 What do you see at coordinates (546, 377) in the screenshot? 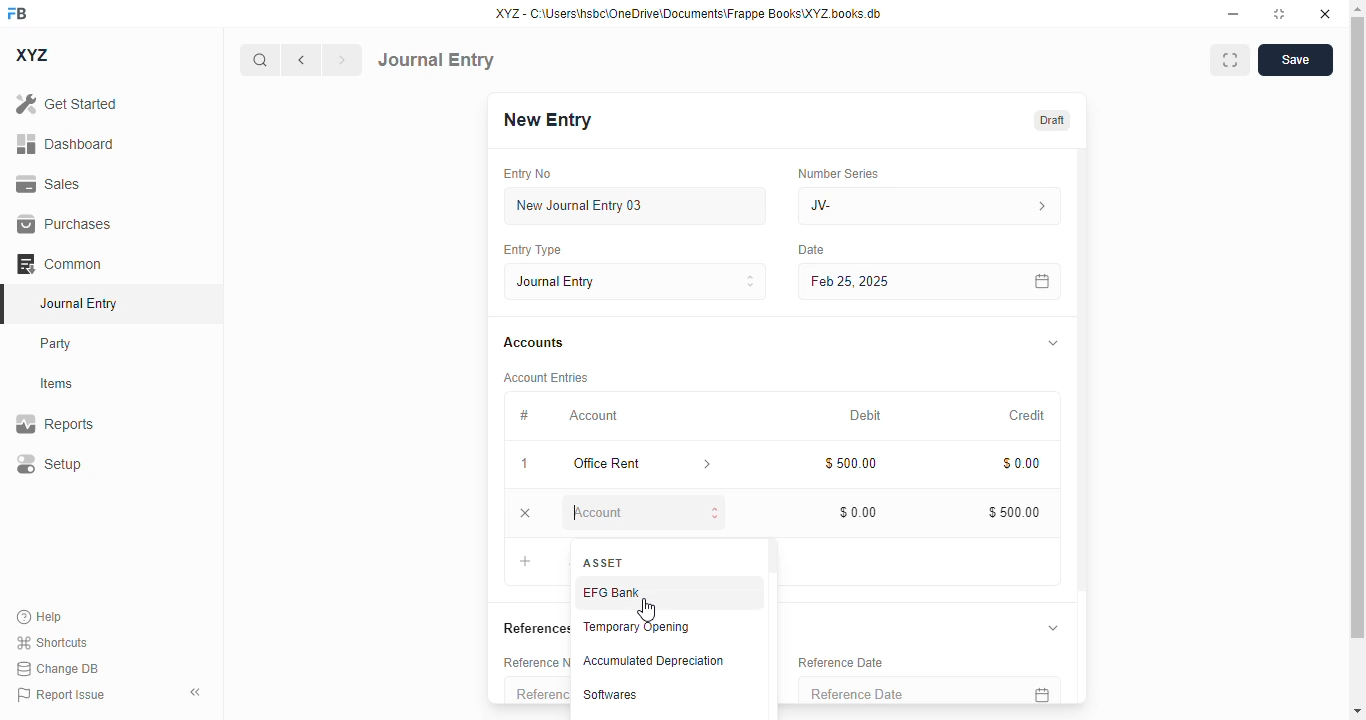
I see `account entries` at bounding box center [546, 377].